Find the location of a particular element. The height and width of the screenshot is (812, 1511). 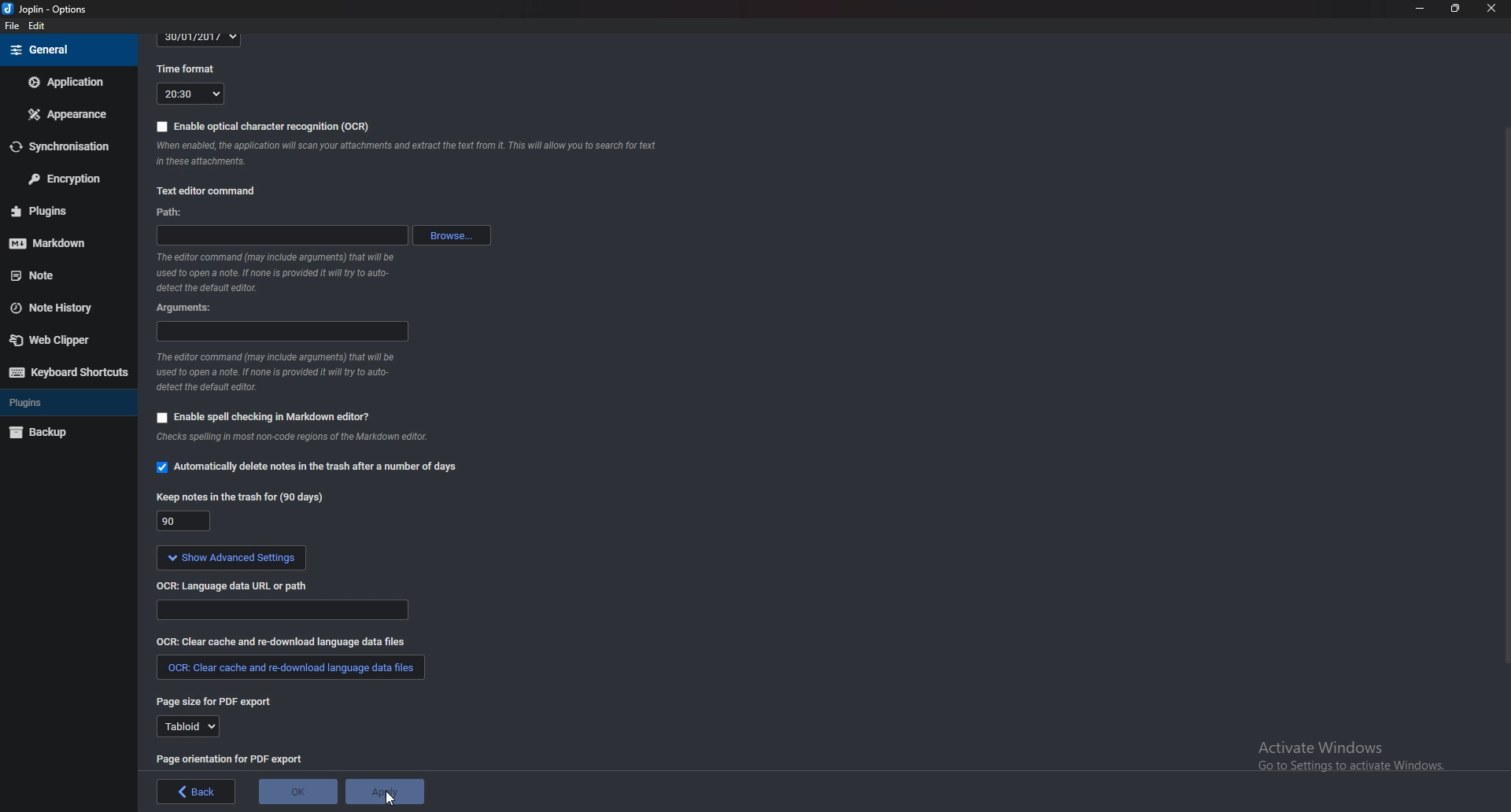

Keep notes in the trash for is located at coordinates (244, 497).